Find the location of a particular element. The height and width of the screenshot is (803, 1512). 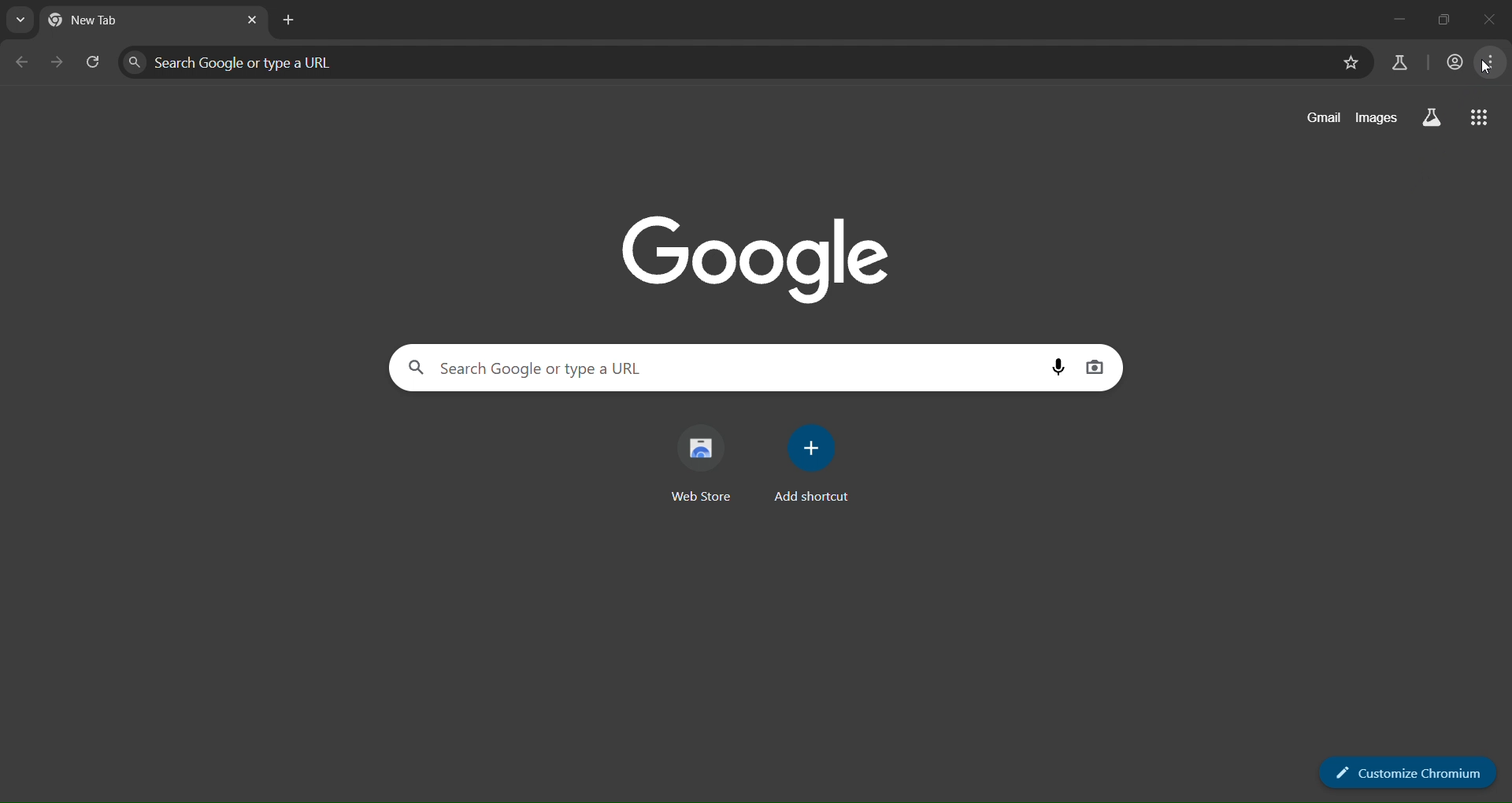

maximize is located at coordinates (1495, 17).